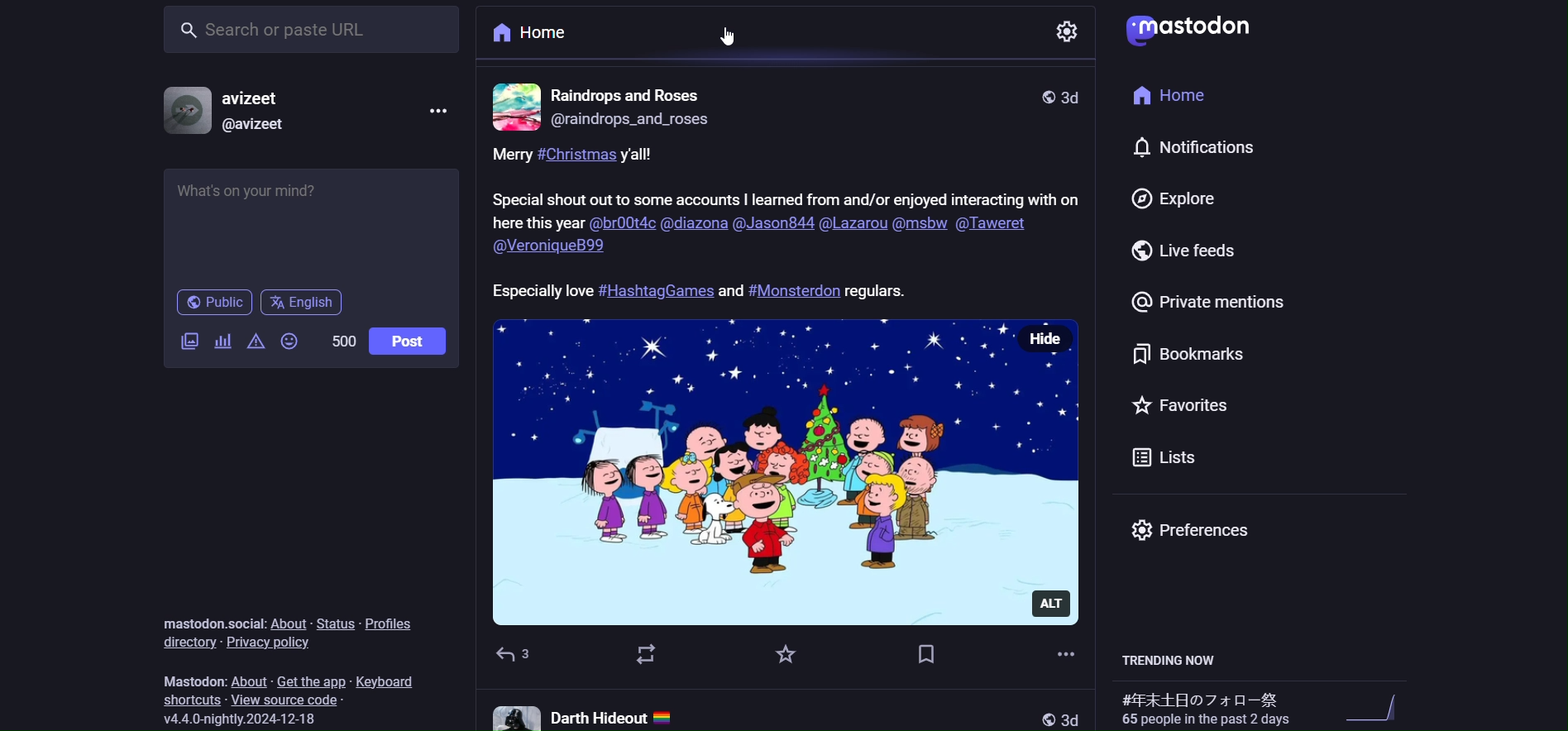 Image resolution: width=1568 pixels, height=731 pixels. I want to click on about, so click(286, 622).